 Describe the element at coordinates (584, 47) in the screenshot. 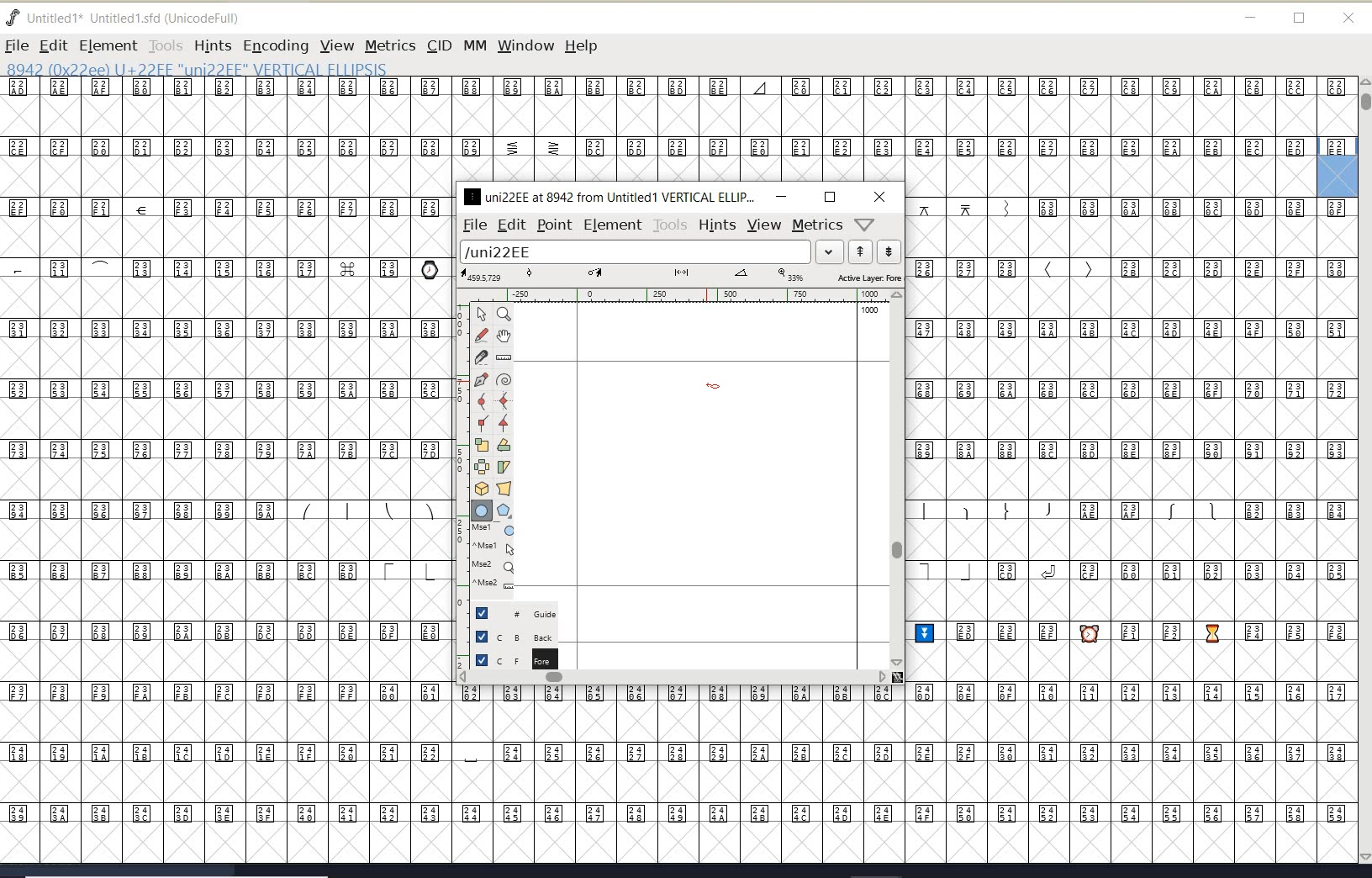

I see `help` at that location.